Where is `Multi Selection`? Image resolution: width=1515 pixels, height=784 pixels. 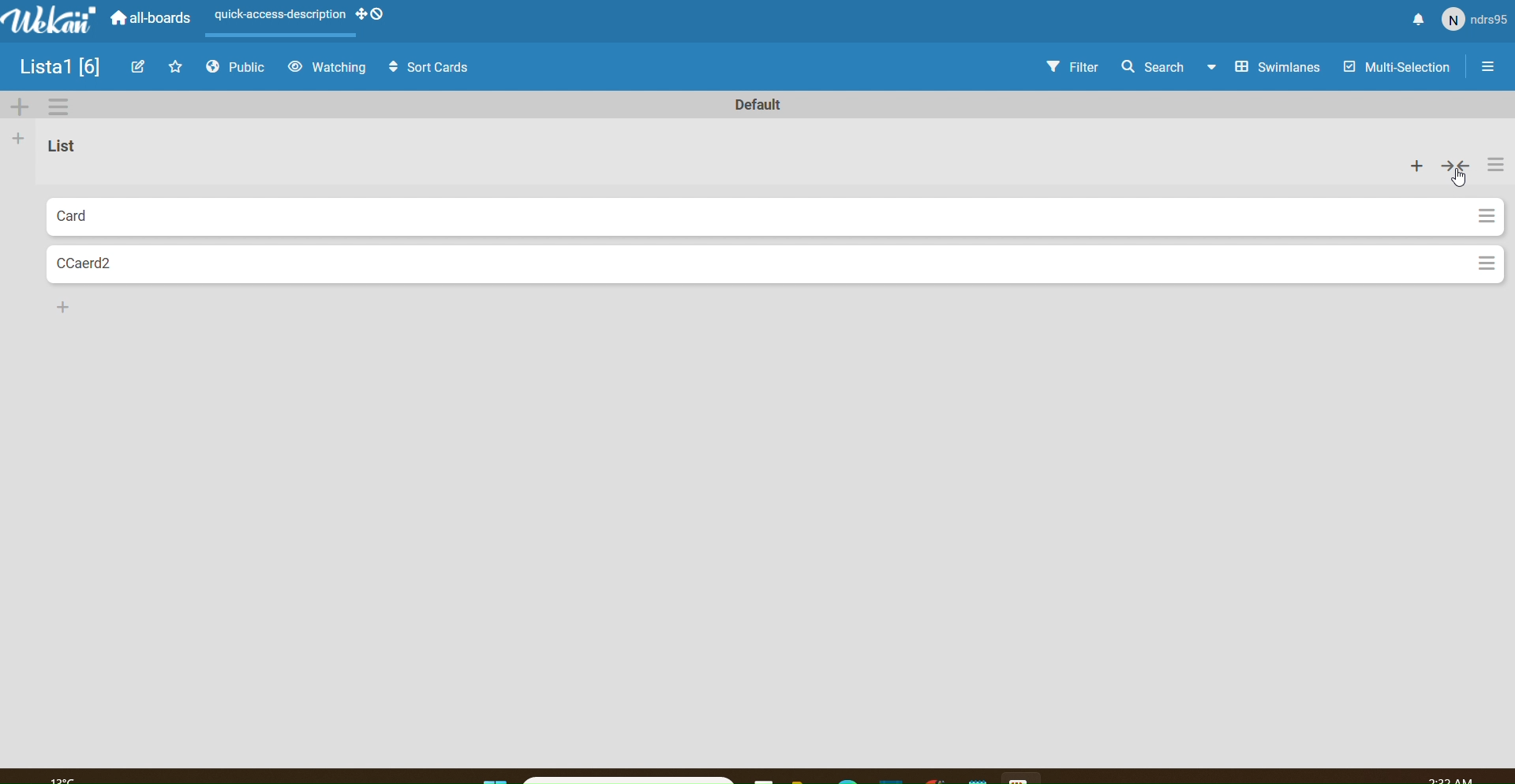
Multi Selection is located at coordinates (1407, 69).